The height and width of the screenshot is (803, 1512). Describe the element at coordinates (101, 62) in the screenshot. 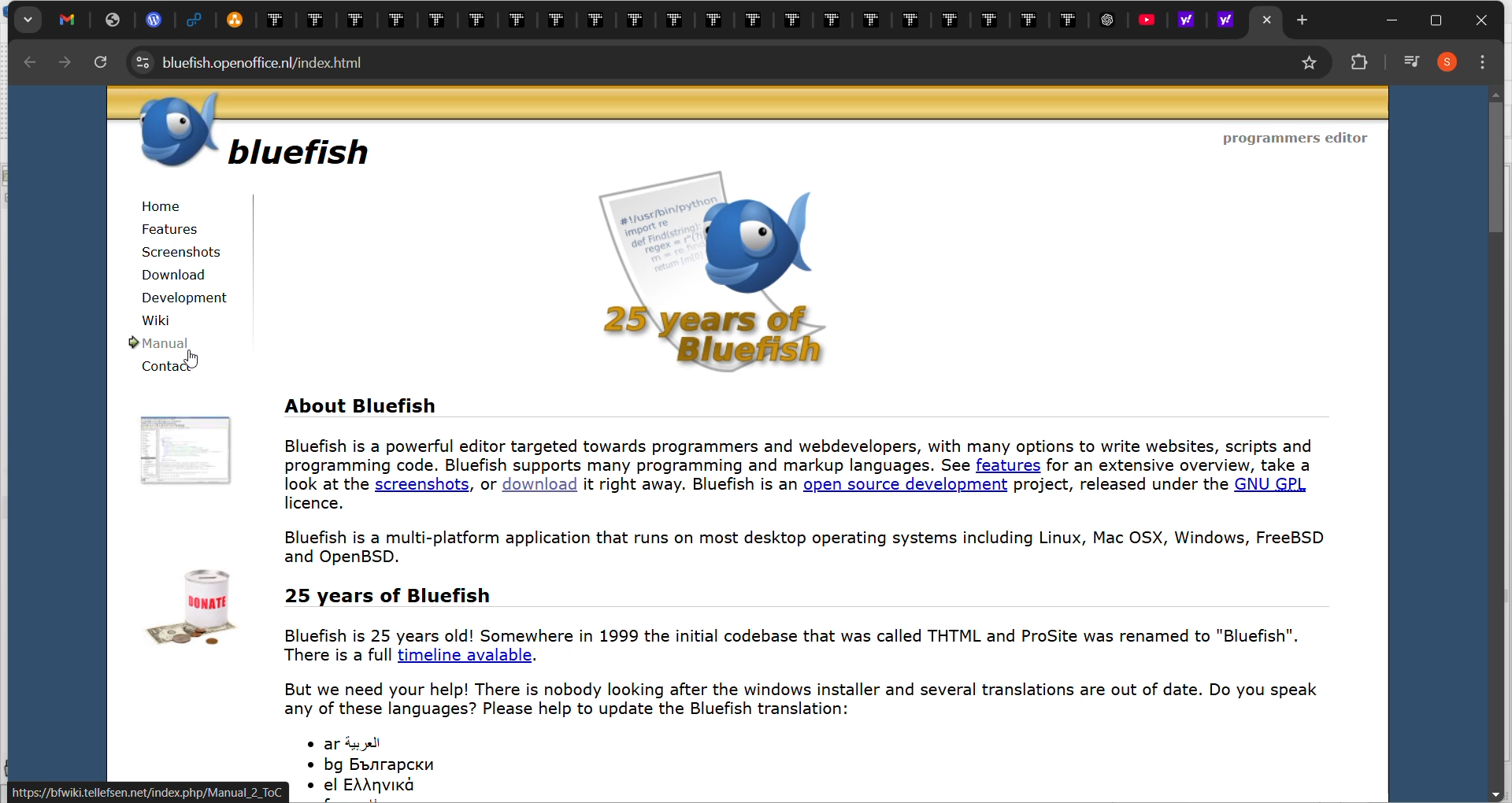

I see `Refresh` at that location.